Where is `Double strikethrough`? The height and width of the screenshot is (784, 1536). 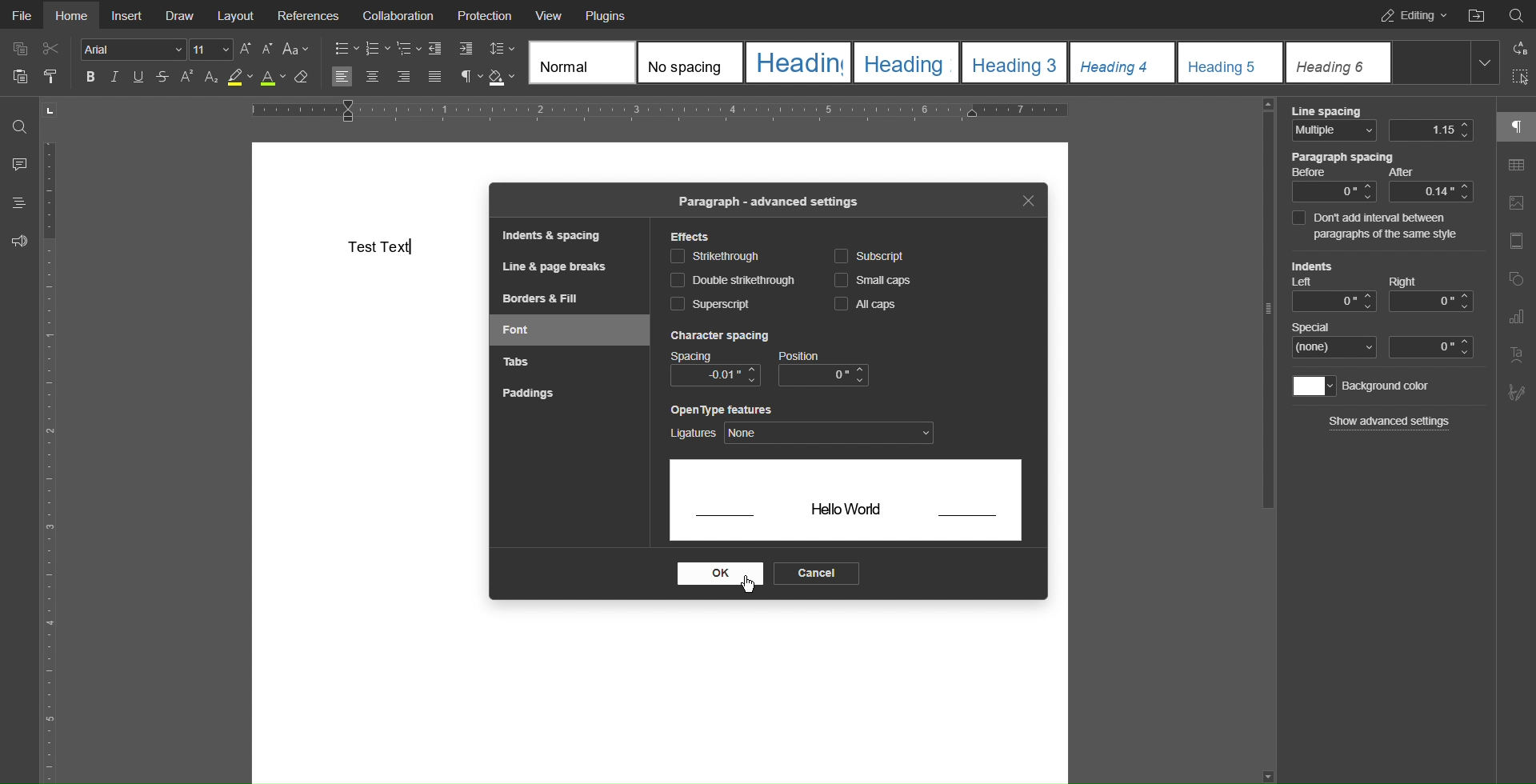 Double strikethrough is located at coordinates (733, 281).